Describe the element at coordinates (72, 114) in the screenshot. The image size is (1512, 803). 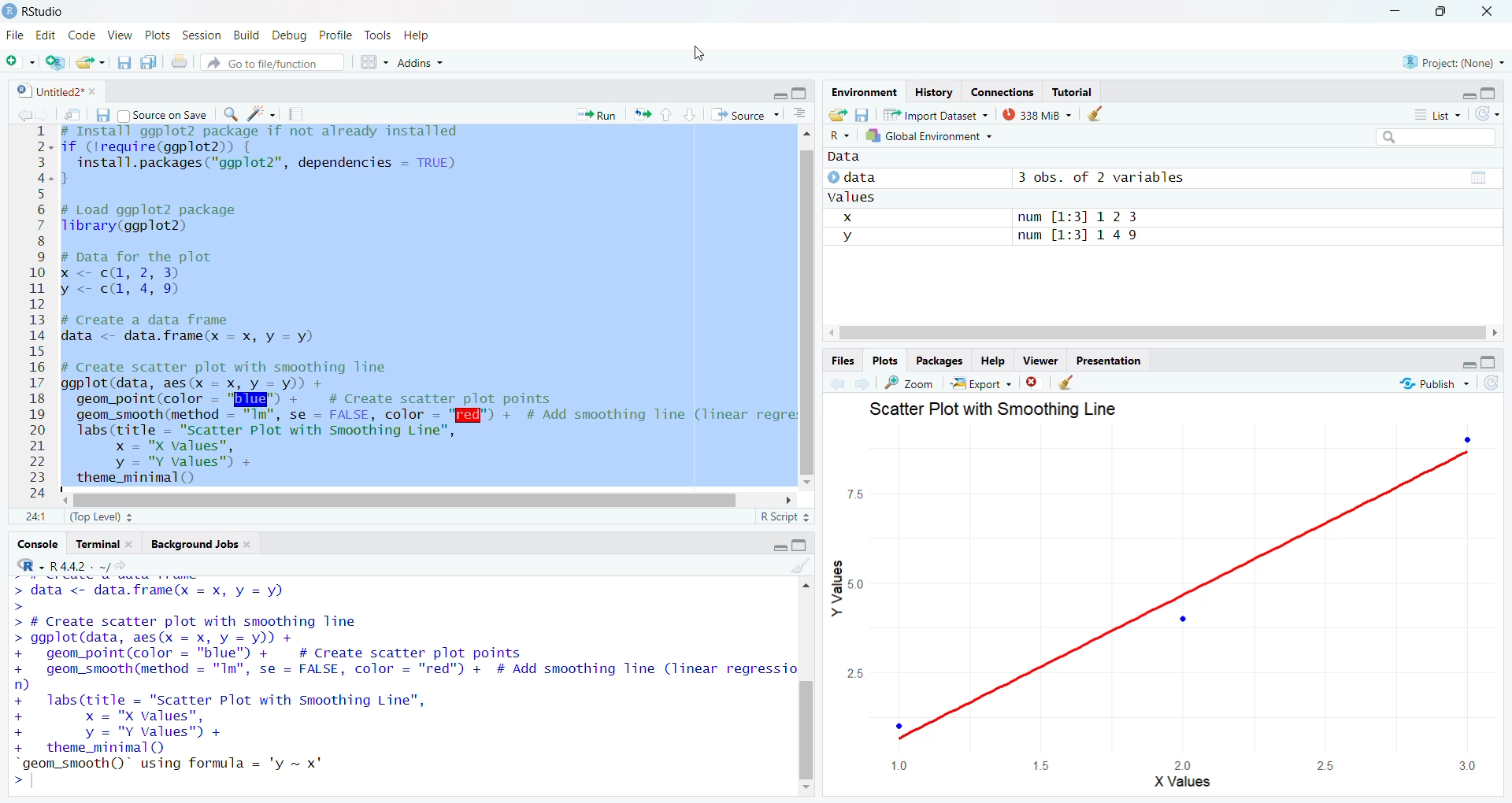
I see `show in new window` at that location.